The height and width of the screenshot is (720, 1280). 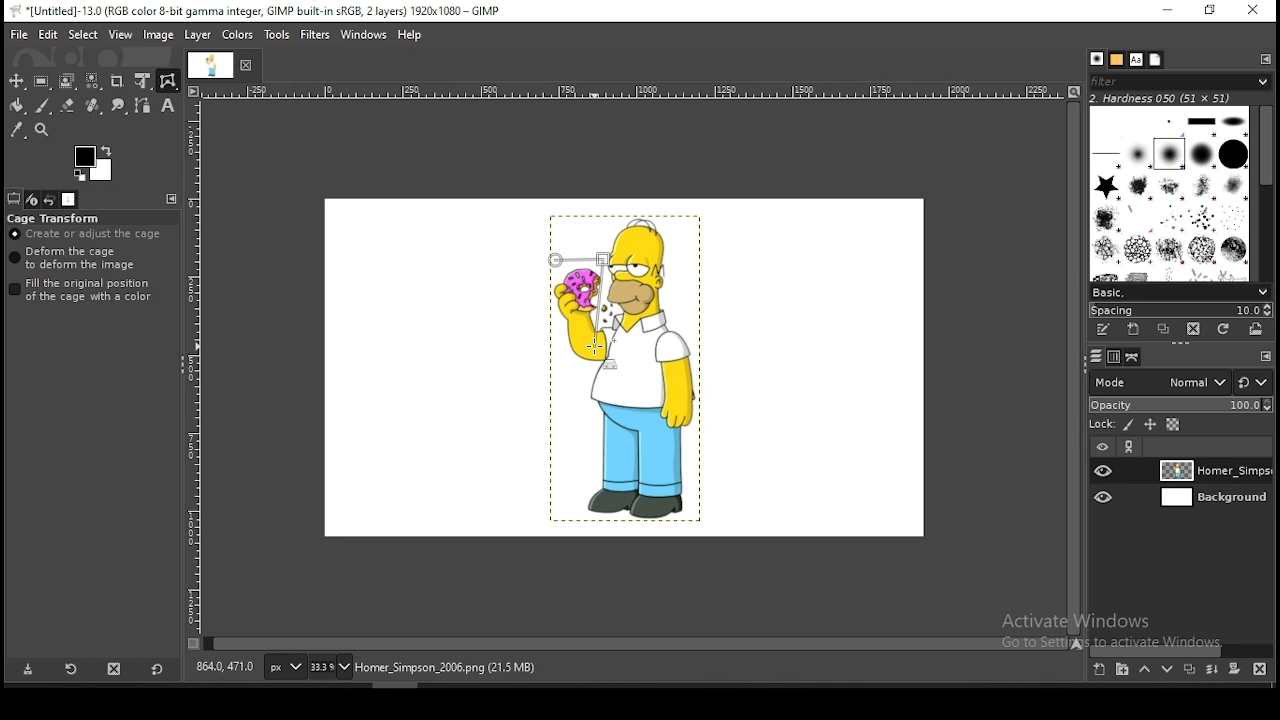 I want to click on filter brushes, so click(x=1181, y=83).